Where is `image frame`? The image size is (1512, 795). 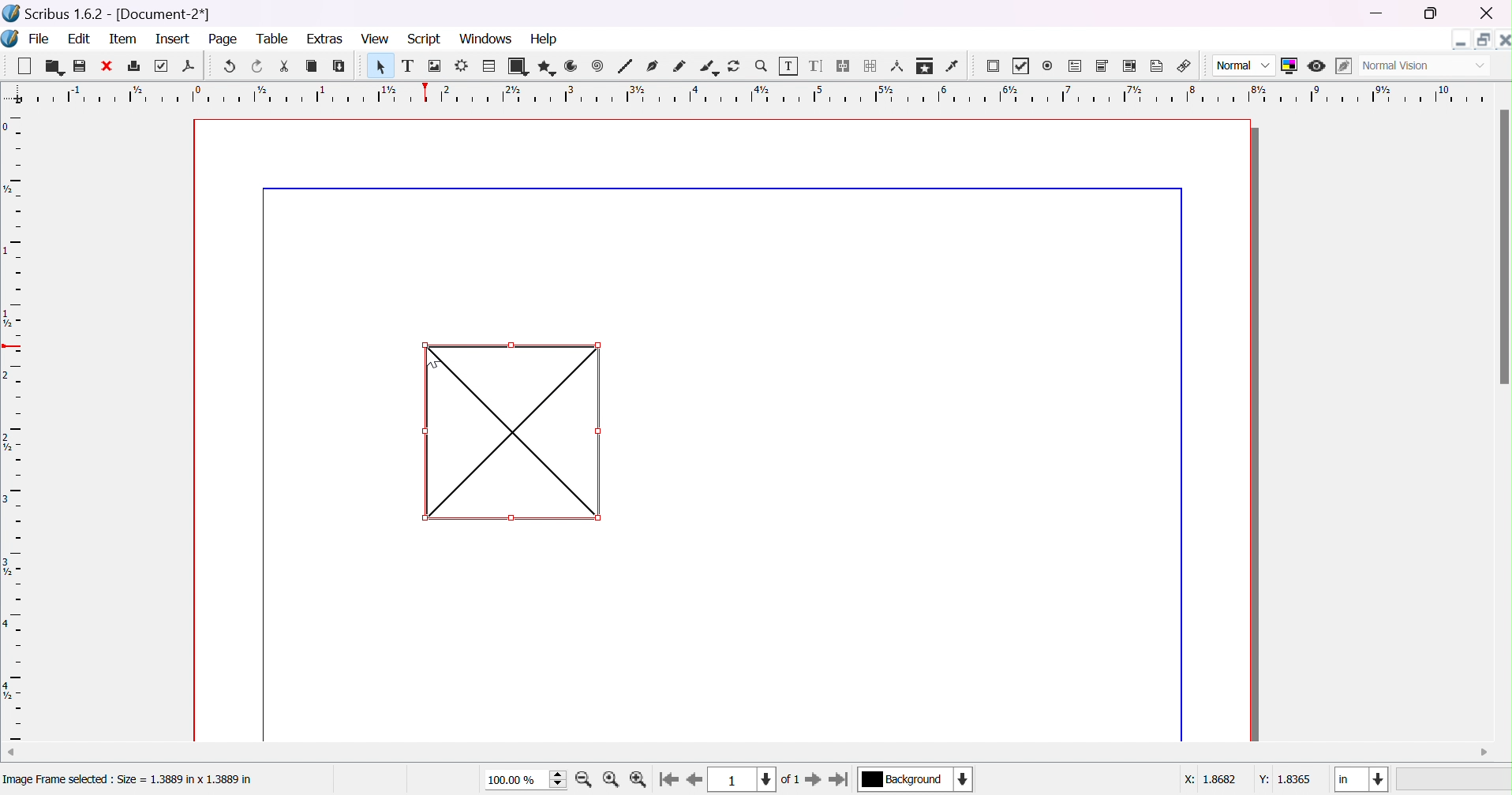
image frame is located at coordinates (436, 66).